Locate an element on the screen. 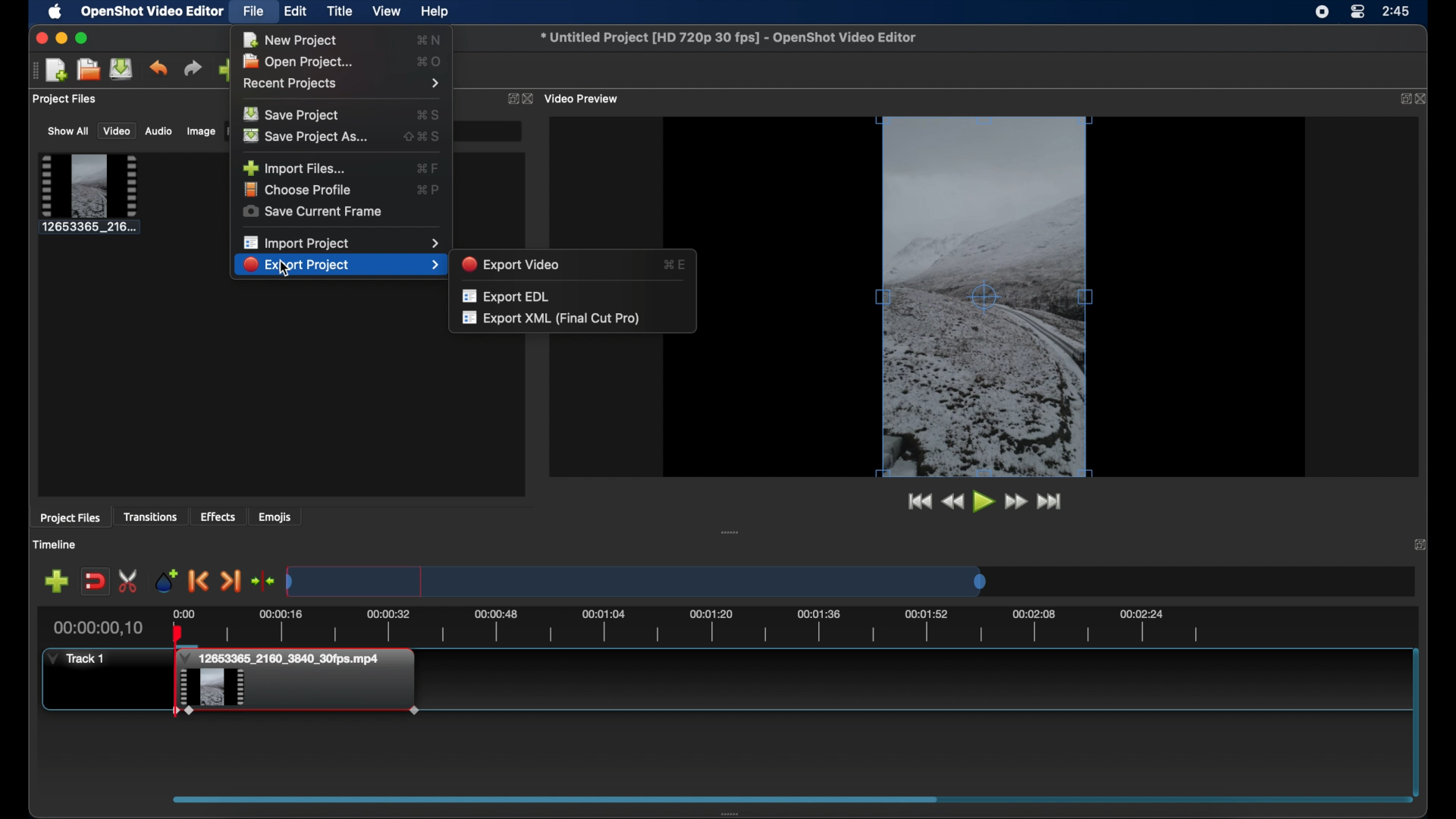  maximize is located at coordinates (83, 38).